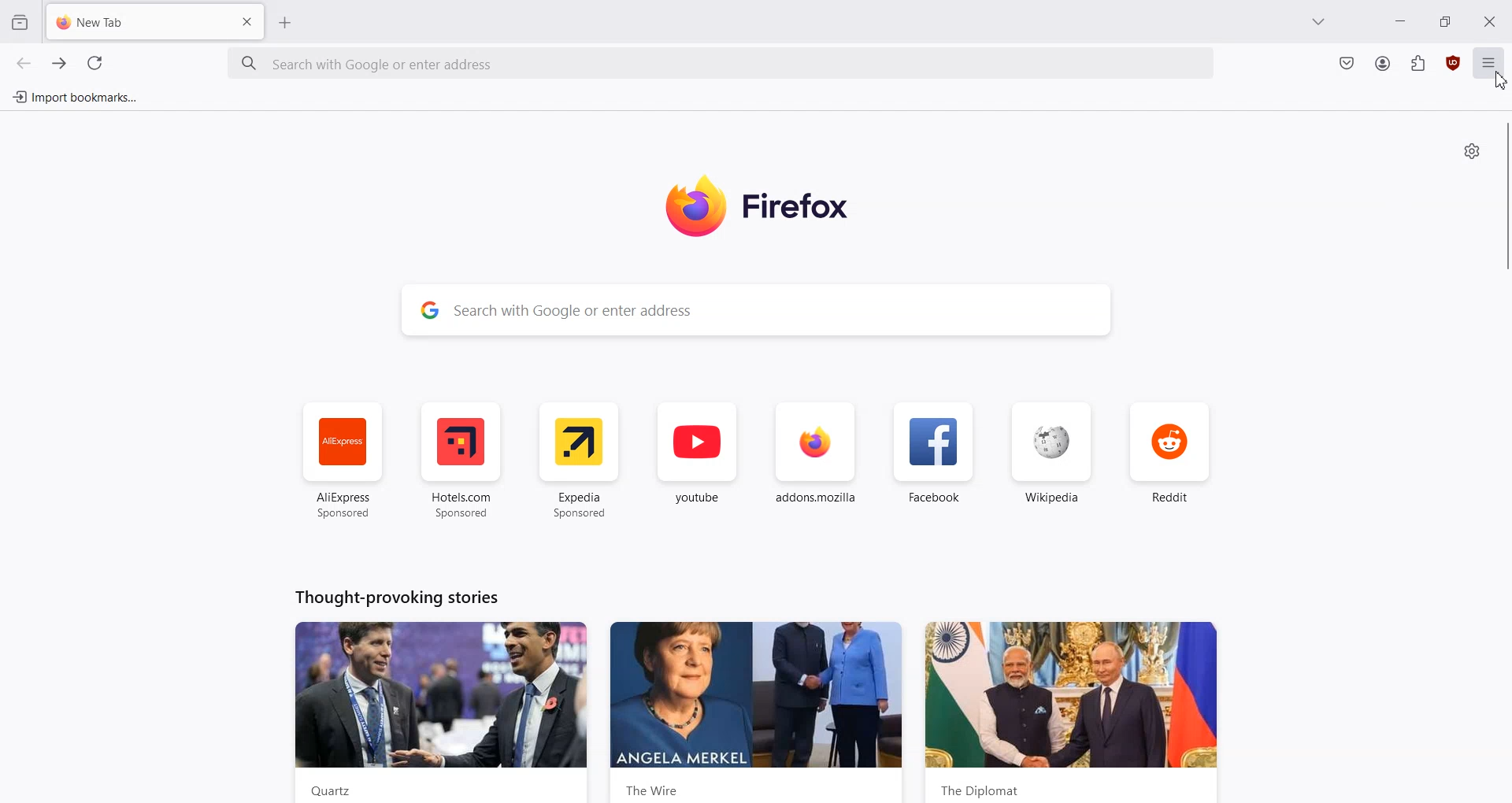 The width and height of the screenshot is (1512, 803). Describe the element at coordinates (61, 63) in the screenshot. I see `Go Forward one page ` at that location.